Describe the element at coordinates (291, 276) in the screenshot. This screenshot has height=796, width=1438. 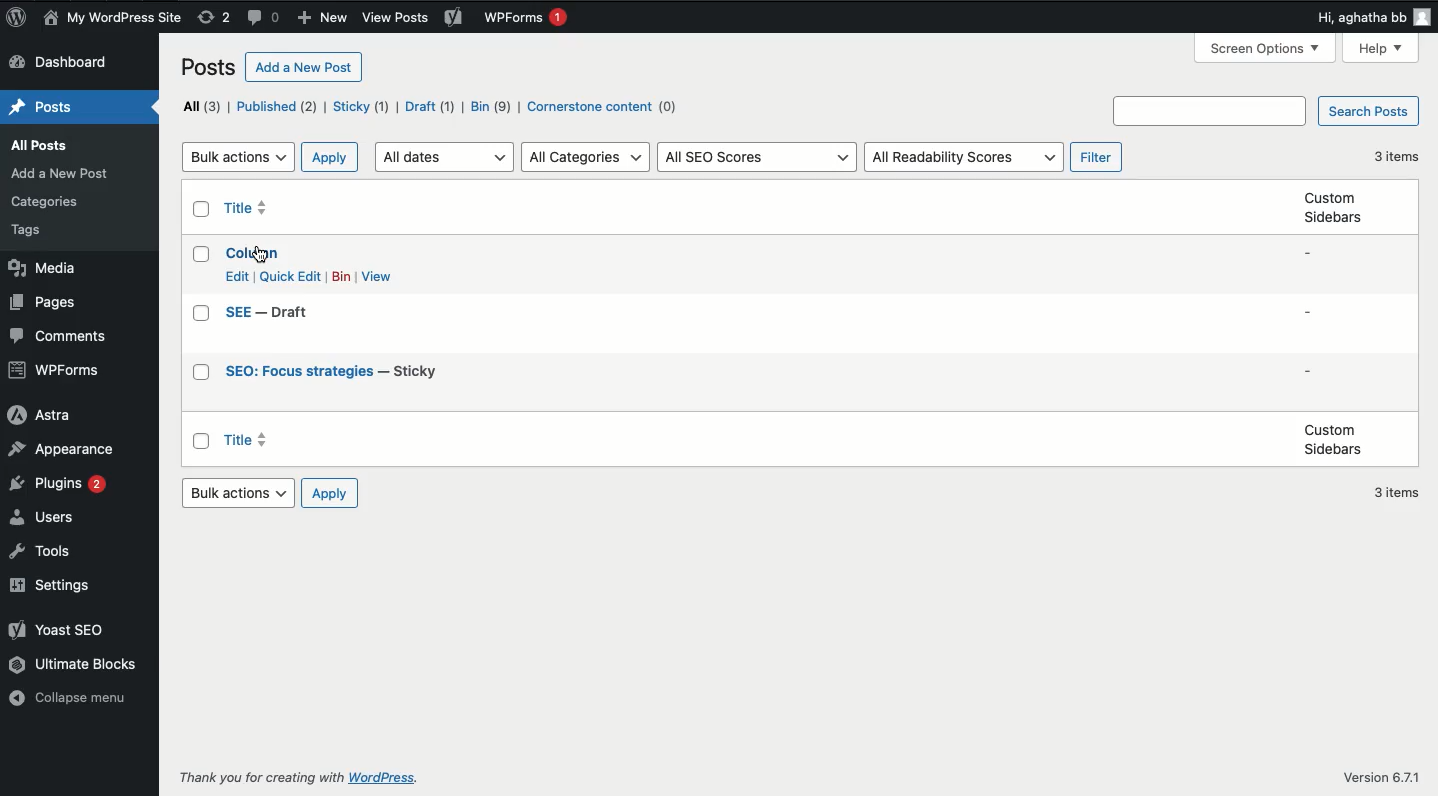
I see `Quick edit` at that location.